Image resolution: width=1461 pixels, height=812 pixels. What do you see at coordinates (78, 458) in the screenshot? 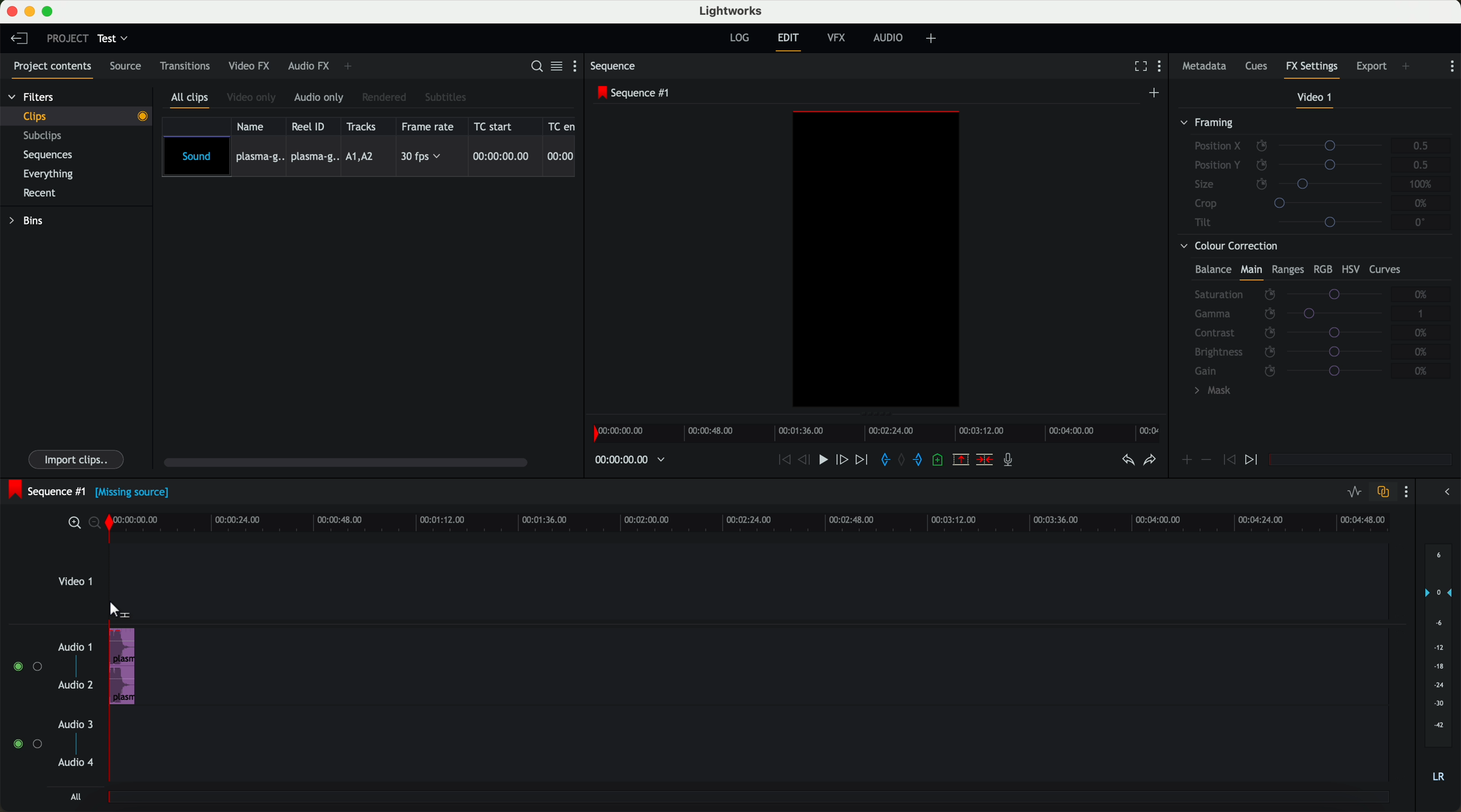
I see `import clips` at bounding box center [78, 458].